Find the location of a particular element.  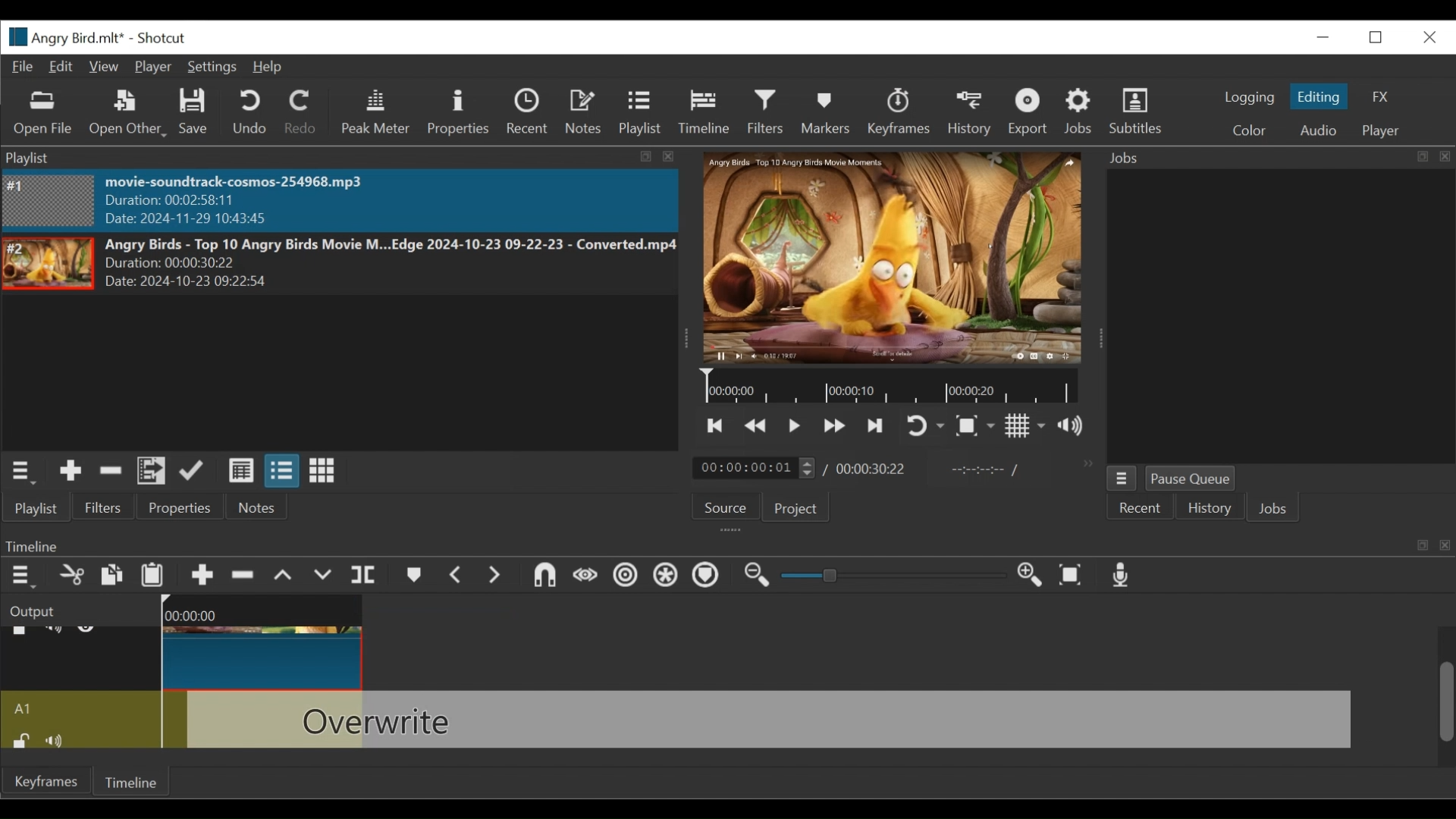

Snap is located at coordinates (542, 577).